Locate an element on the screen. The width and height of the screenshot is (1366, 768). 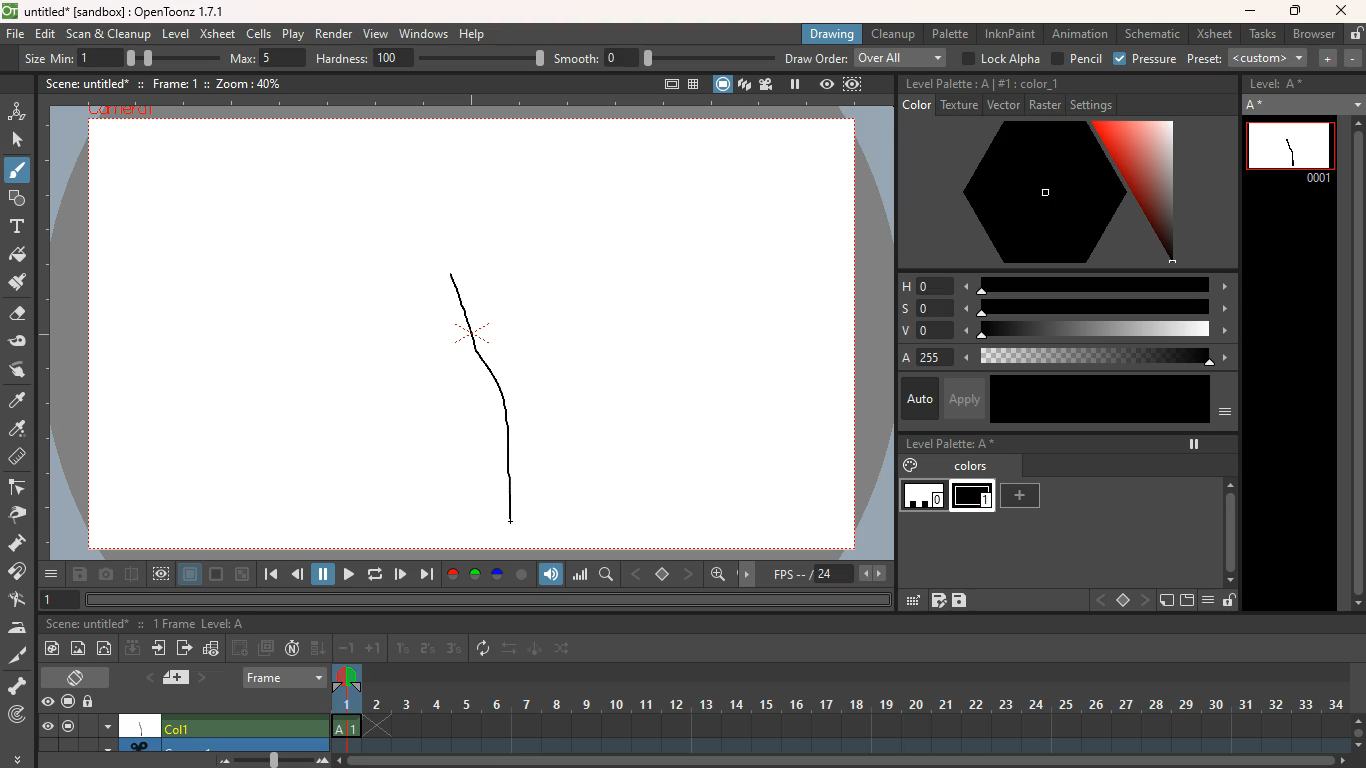
paint is located at coordinates (18, 401).